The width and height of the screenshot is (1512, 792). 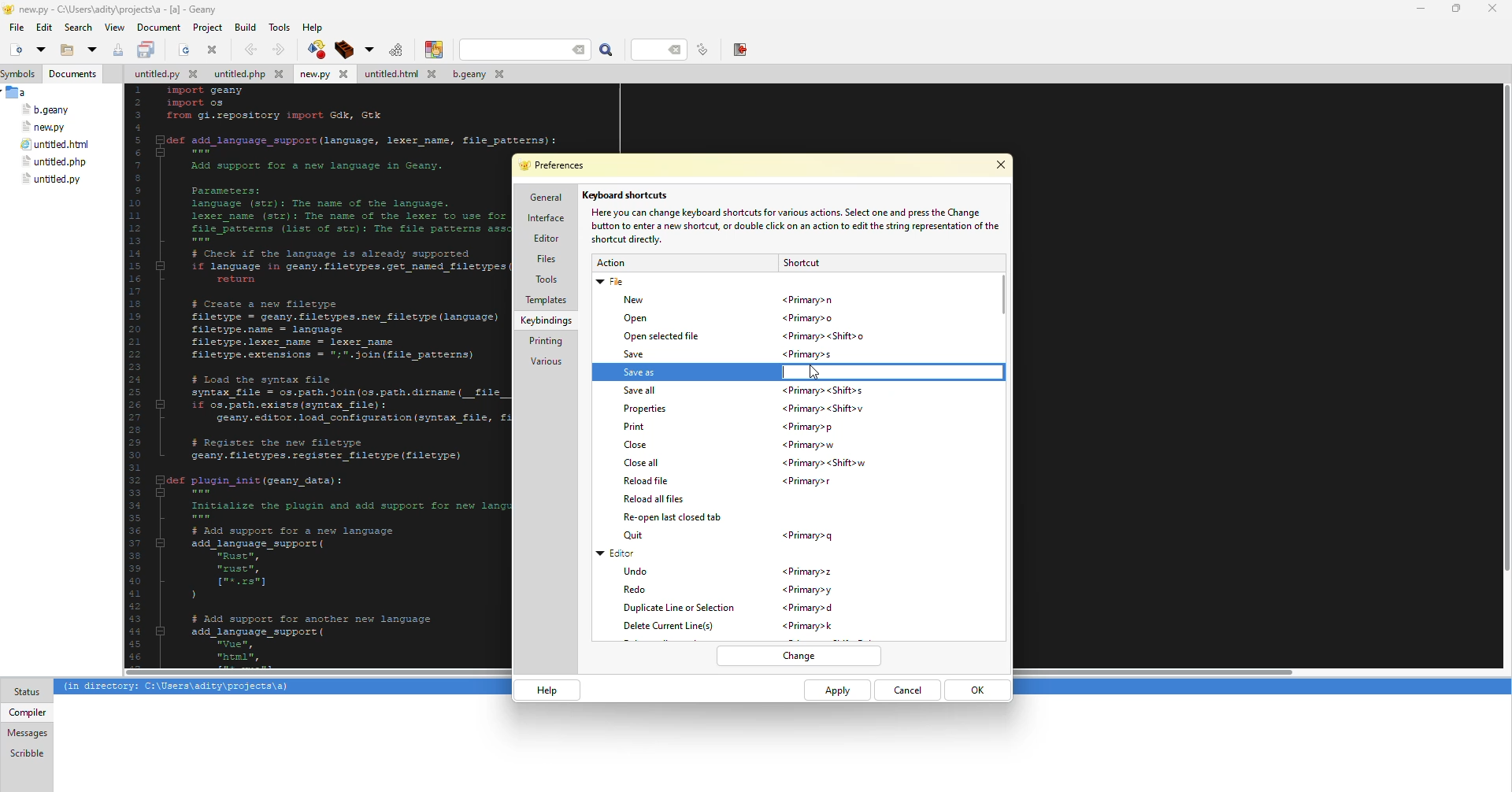 I want to click on shortcut, so click(x=811, y=319).